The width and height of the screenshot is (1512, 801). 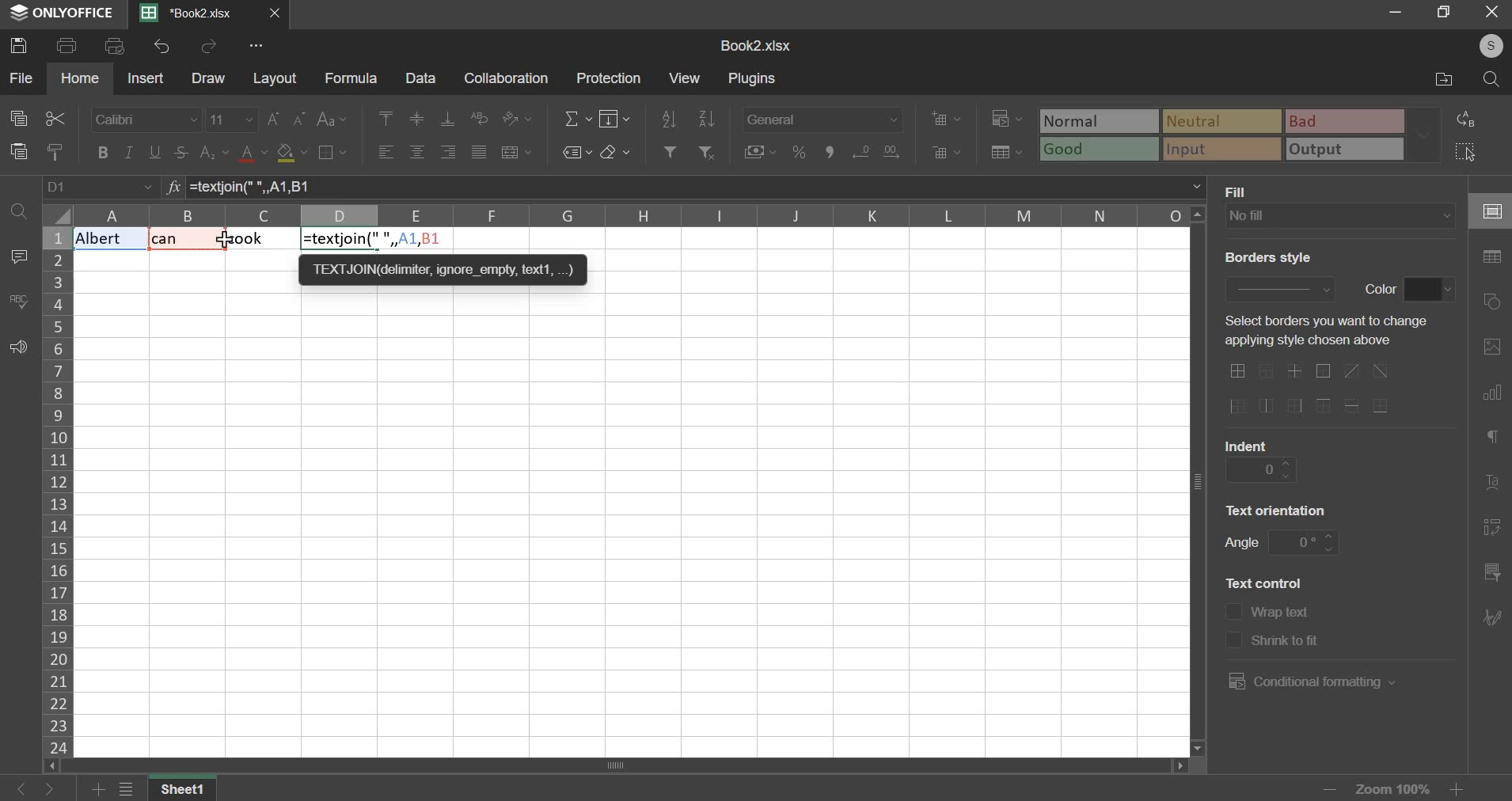 I want to click on spelling, so click(x=18, y=301).